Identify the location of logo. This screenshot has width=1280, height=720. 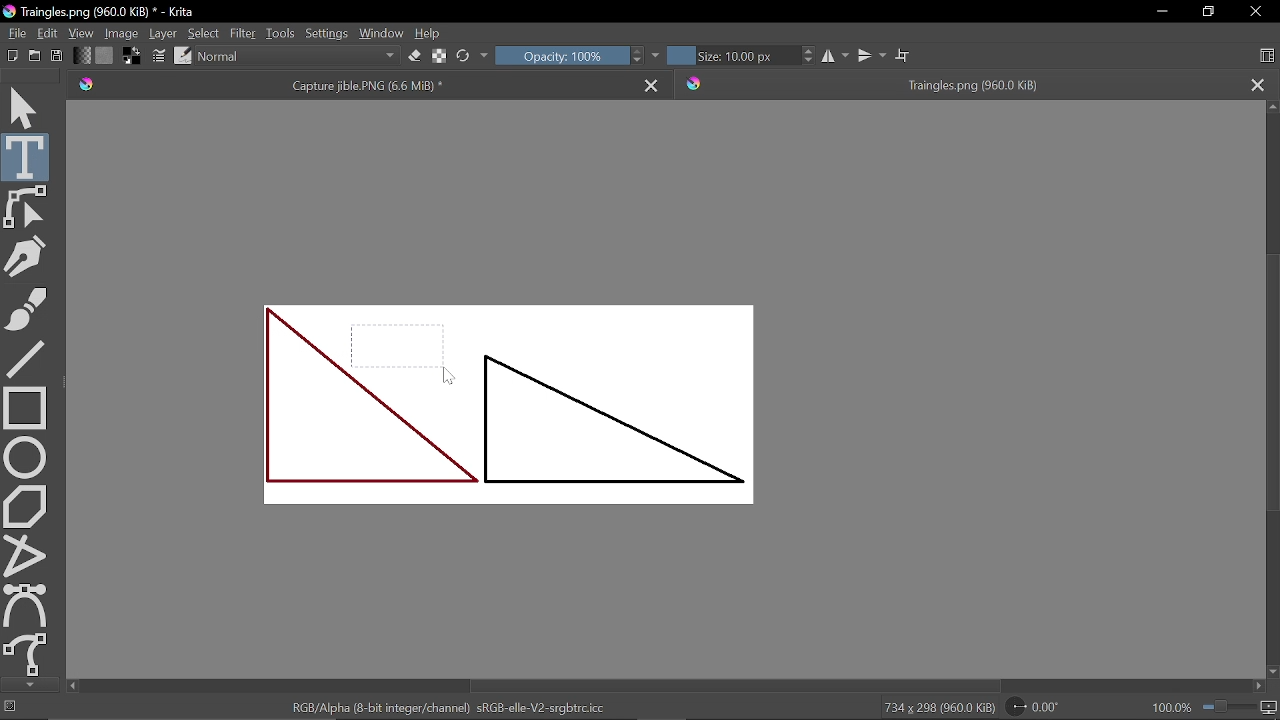
(8, 12).